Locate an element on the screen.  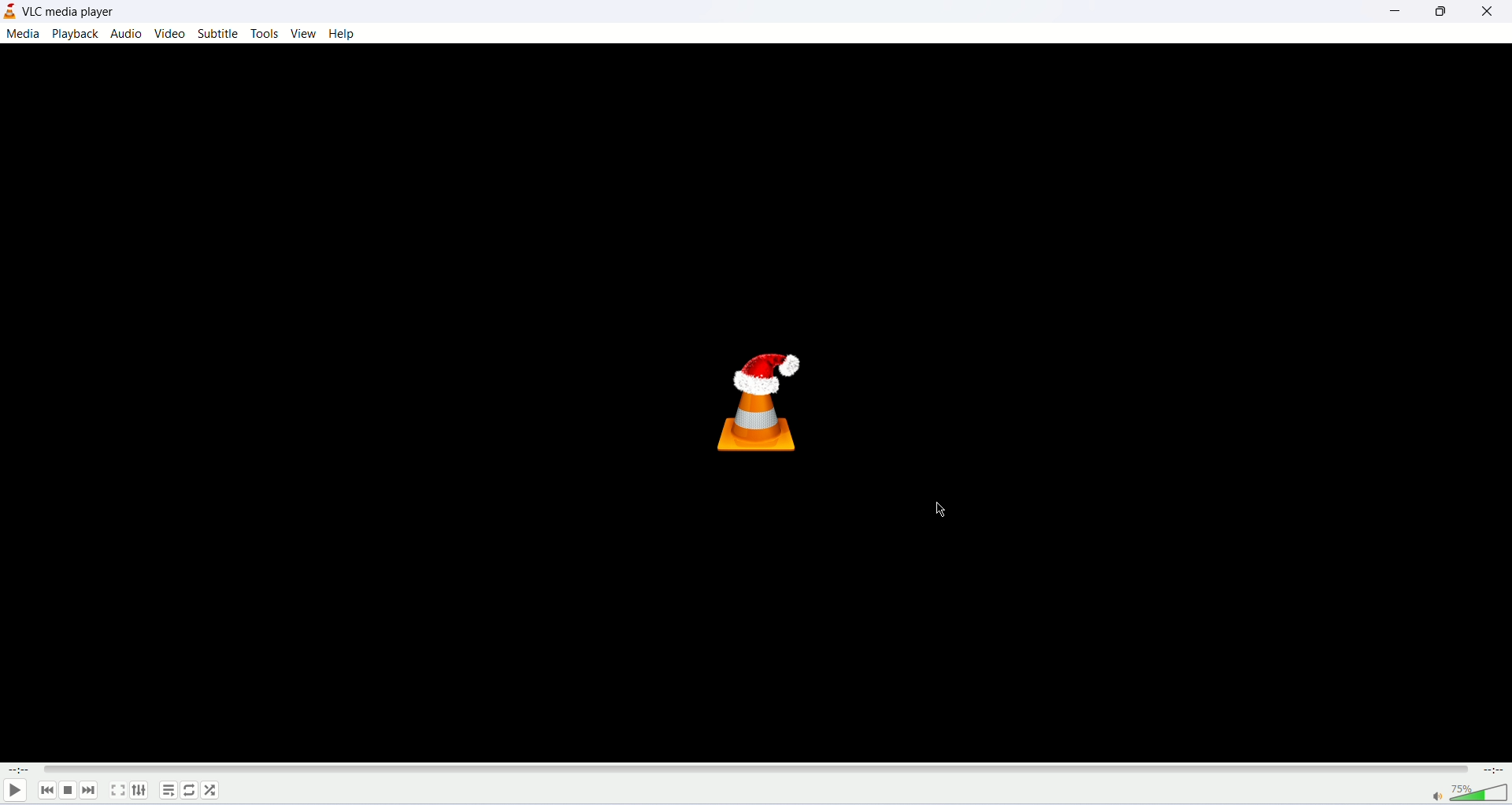
vlc media player is located at coordinates (73, 13).